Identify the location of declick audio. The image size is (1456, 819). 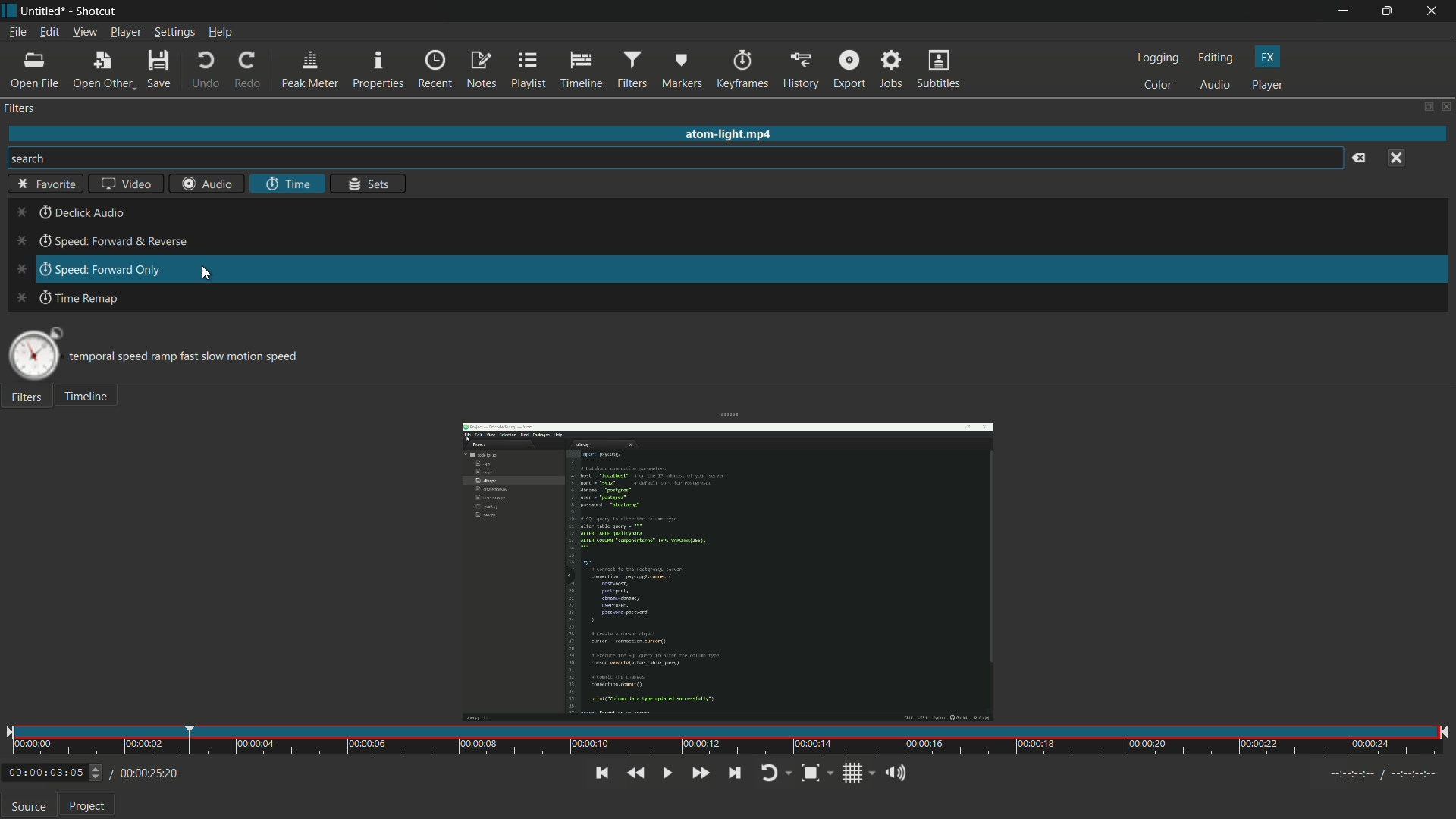
(71, 213).